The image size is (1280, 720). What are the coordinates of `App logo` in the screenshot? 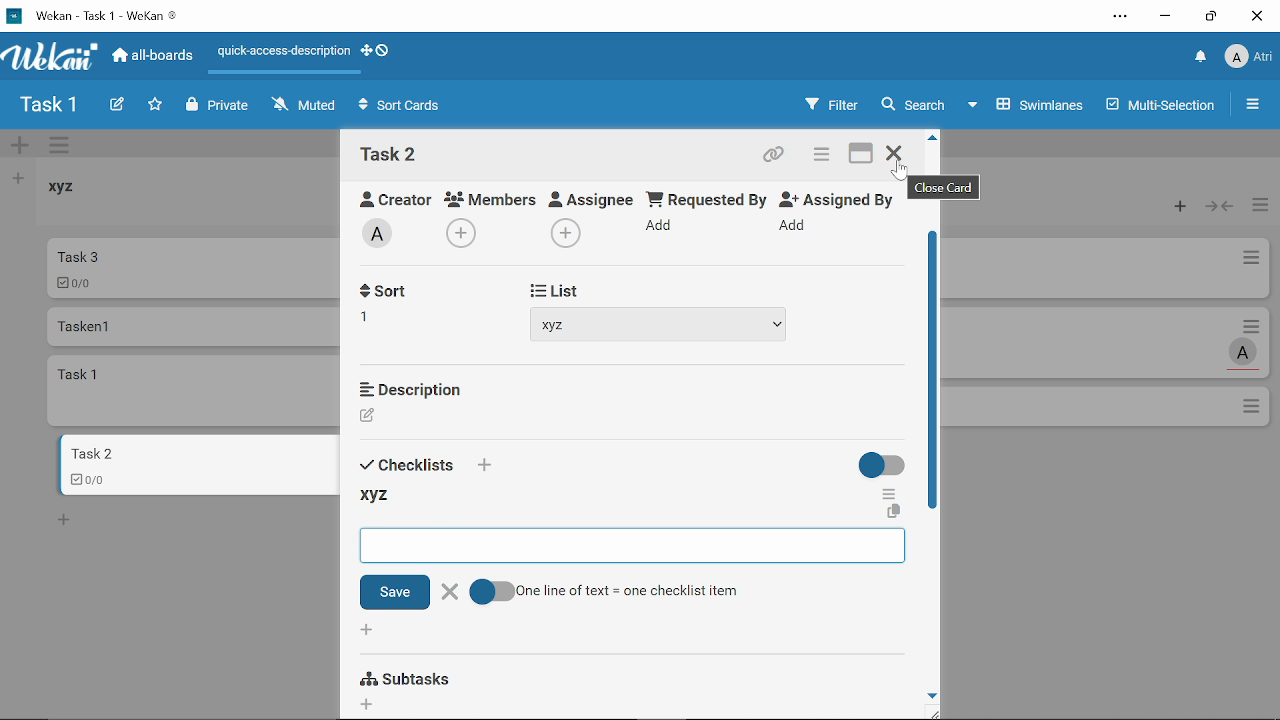 It's located at (51, 56).